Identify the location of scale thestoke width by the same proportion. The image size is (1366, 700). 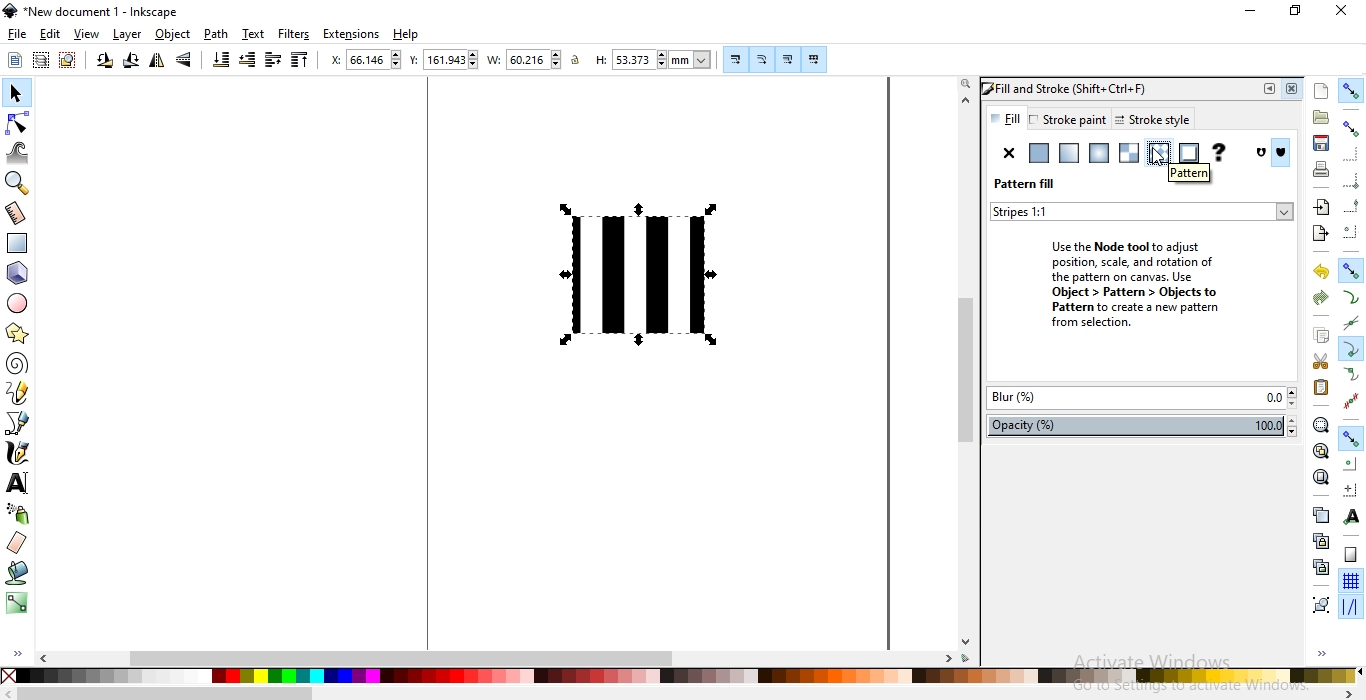
(734, 59).